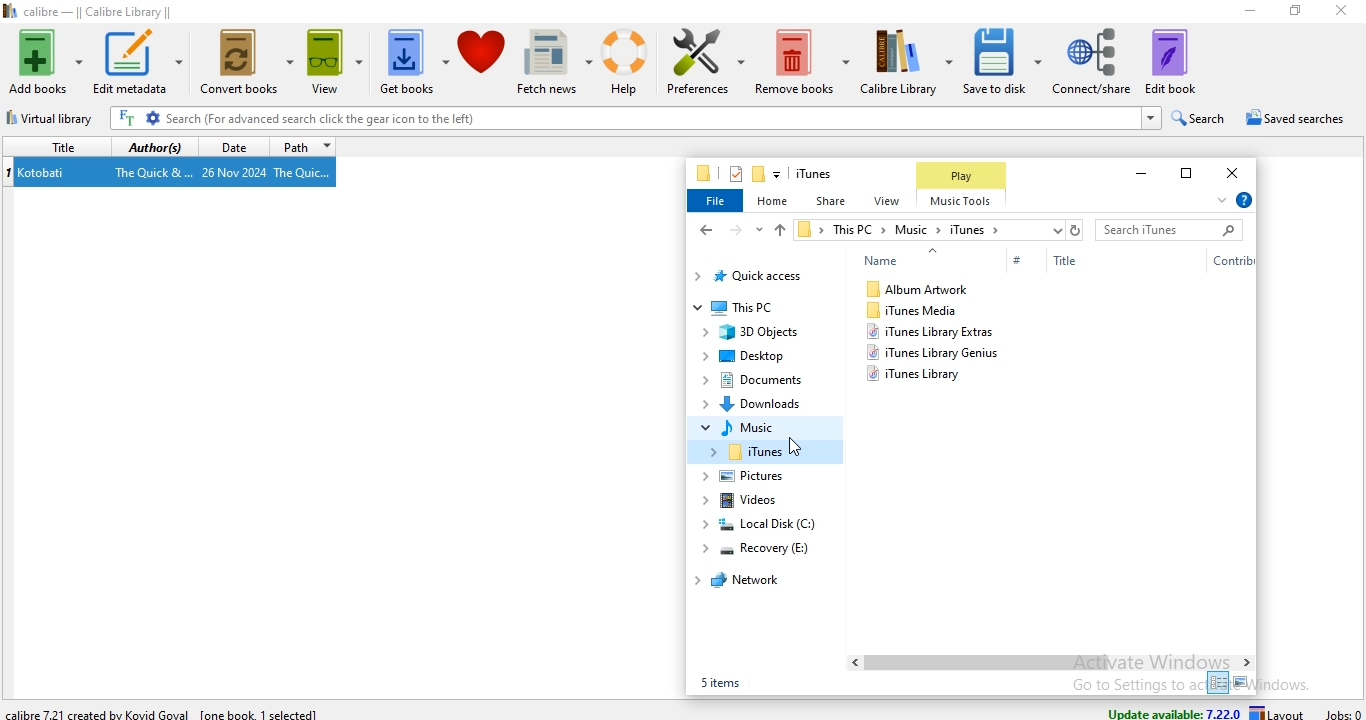 This screenshot has width=1366, height=720. Describe the element at coordinates (1172, 710) in the screenshot. I see `update available: 7.22.0` at that location.